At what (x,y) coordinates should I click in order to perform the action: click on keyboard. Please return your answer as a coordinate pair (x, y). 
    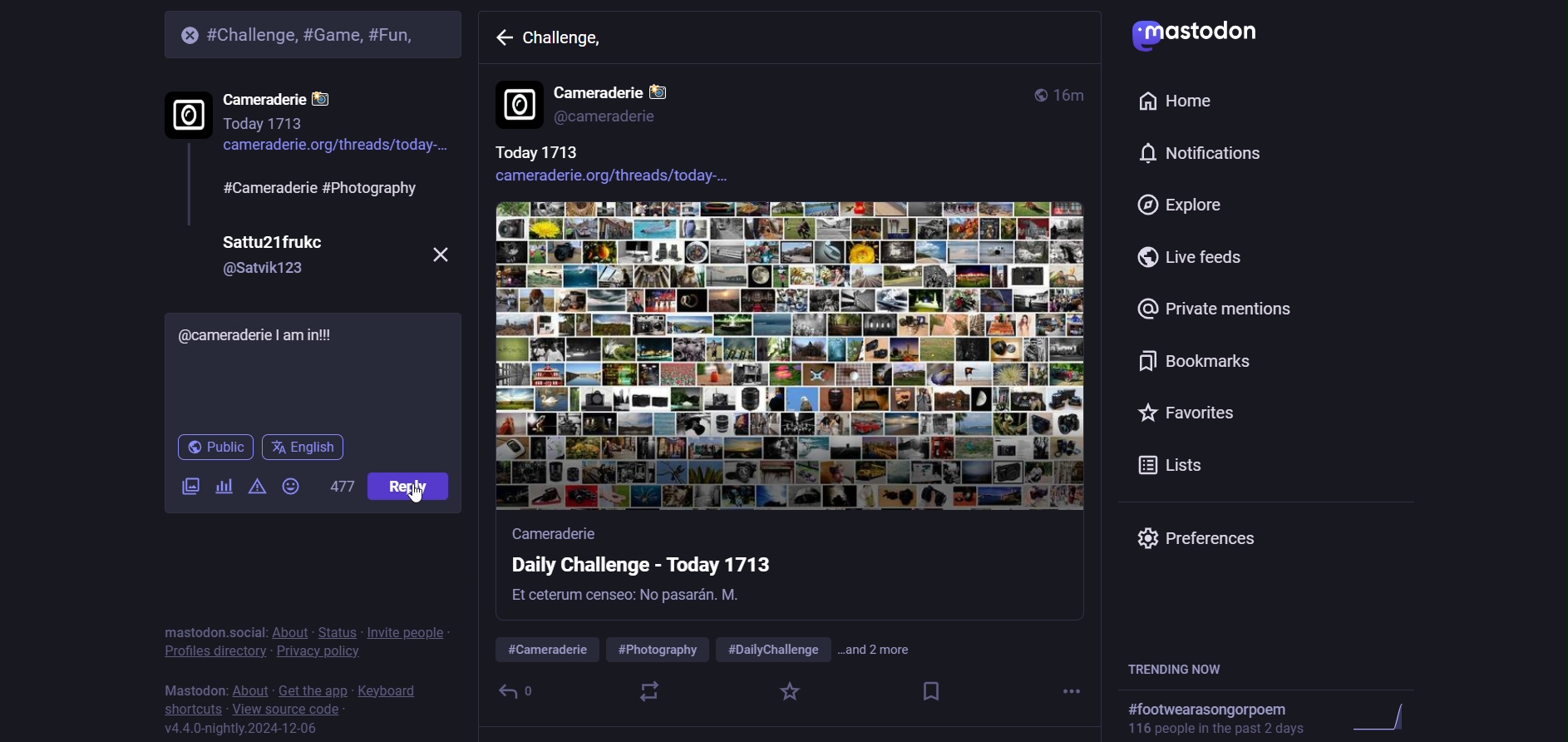
    Looking at the image, I should click on (392, 688).